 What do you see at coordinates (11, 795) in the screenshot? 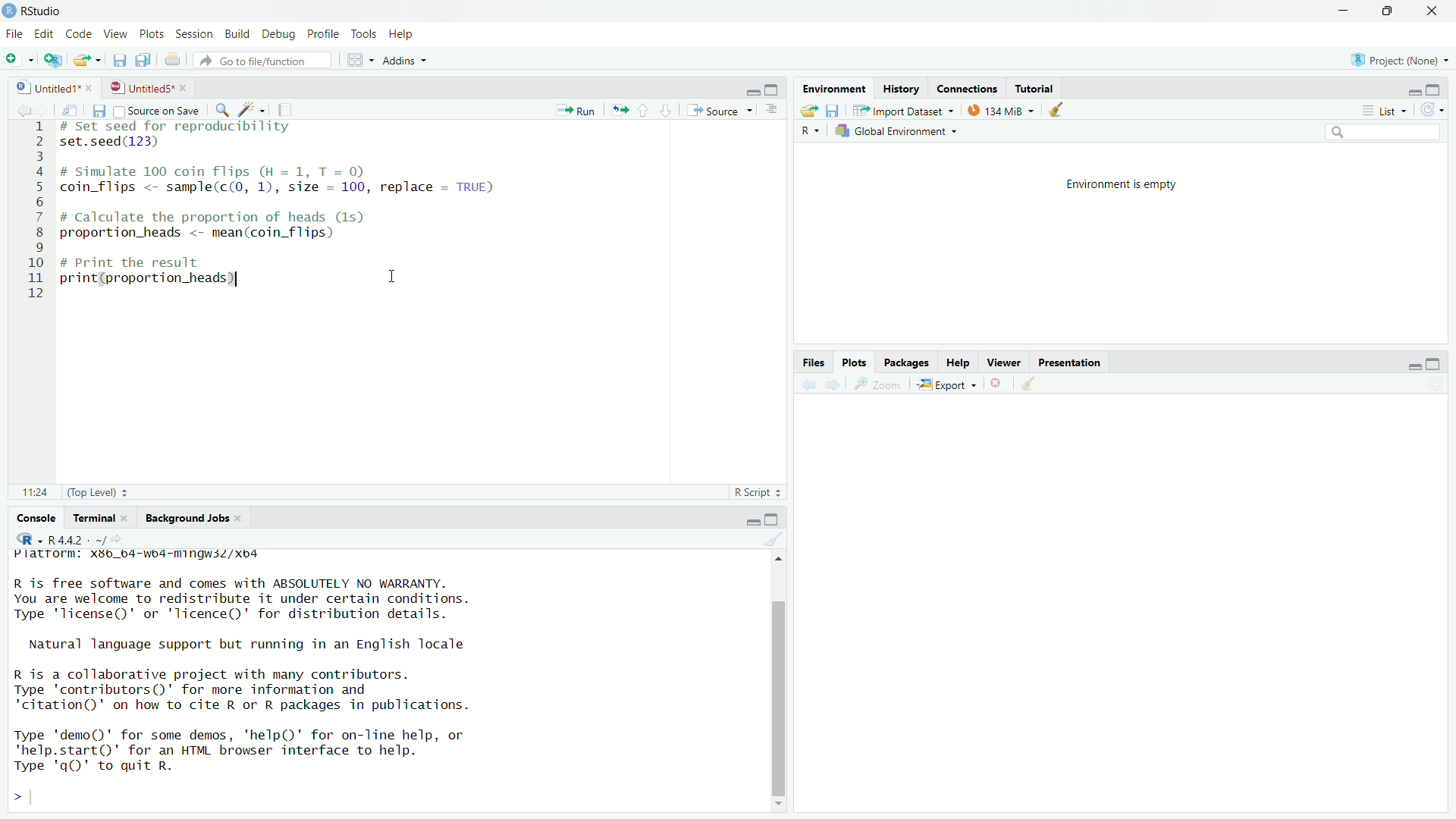
I see `prompt cursor` at bounding box center [11, 795].